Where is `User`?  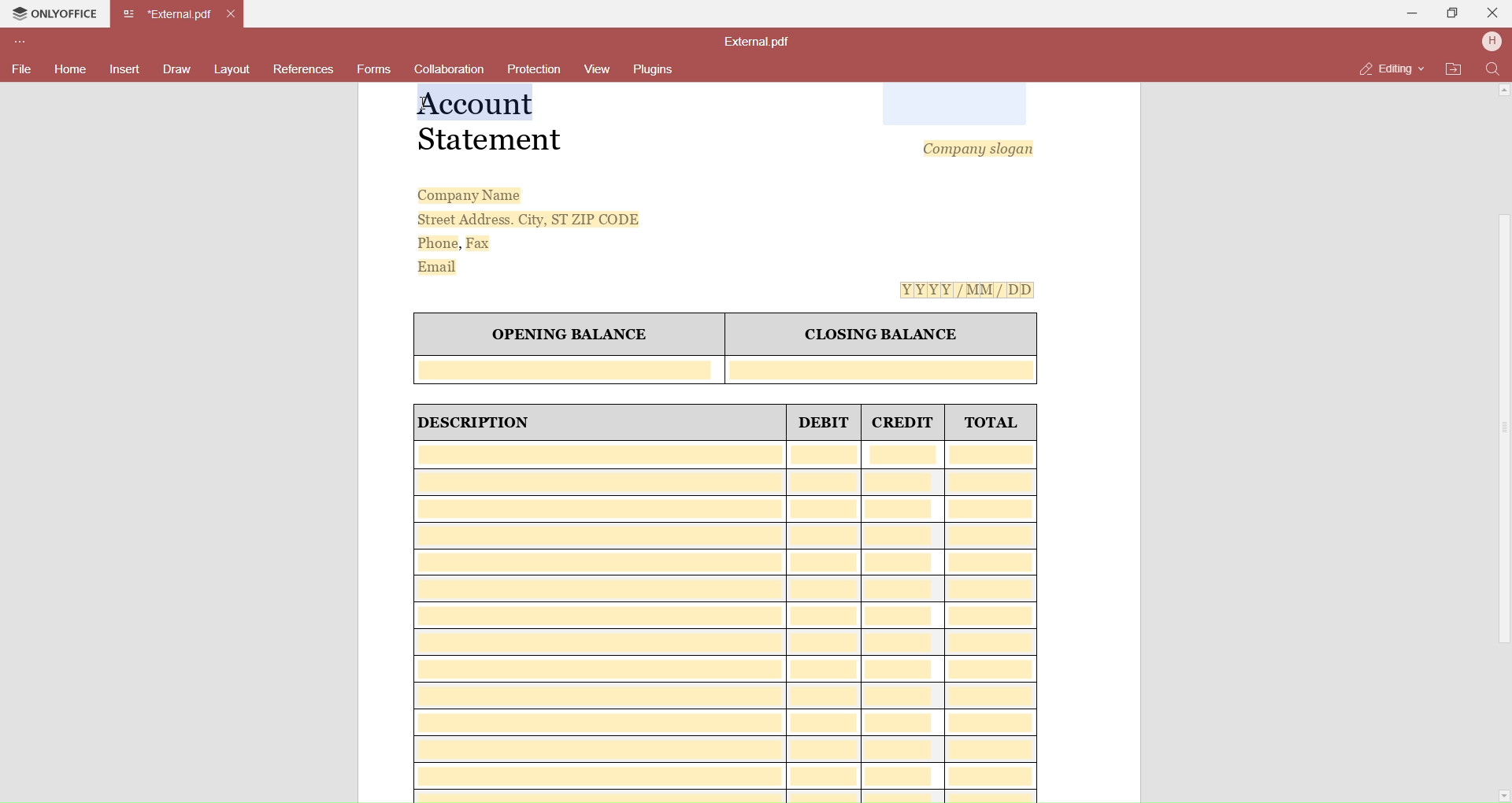 User is located at coordinates (1492, 43).